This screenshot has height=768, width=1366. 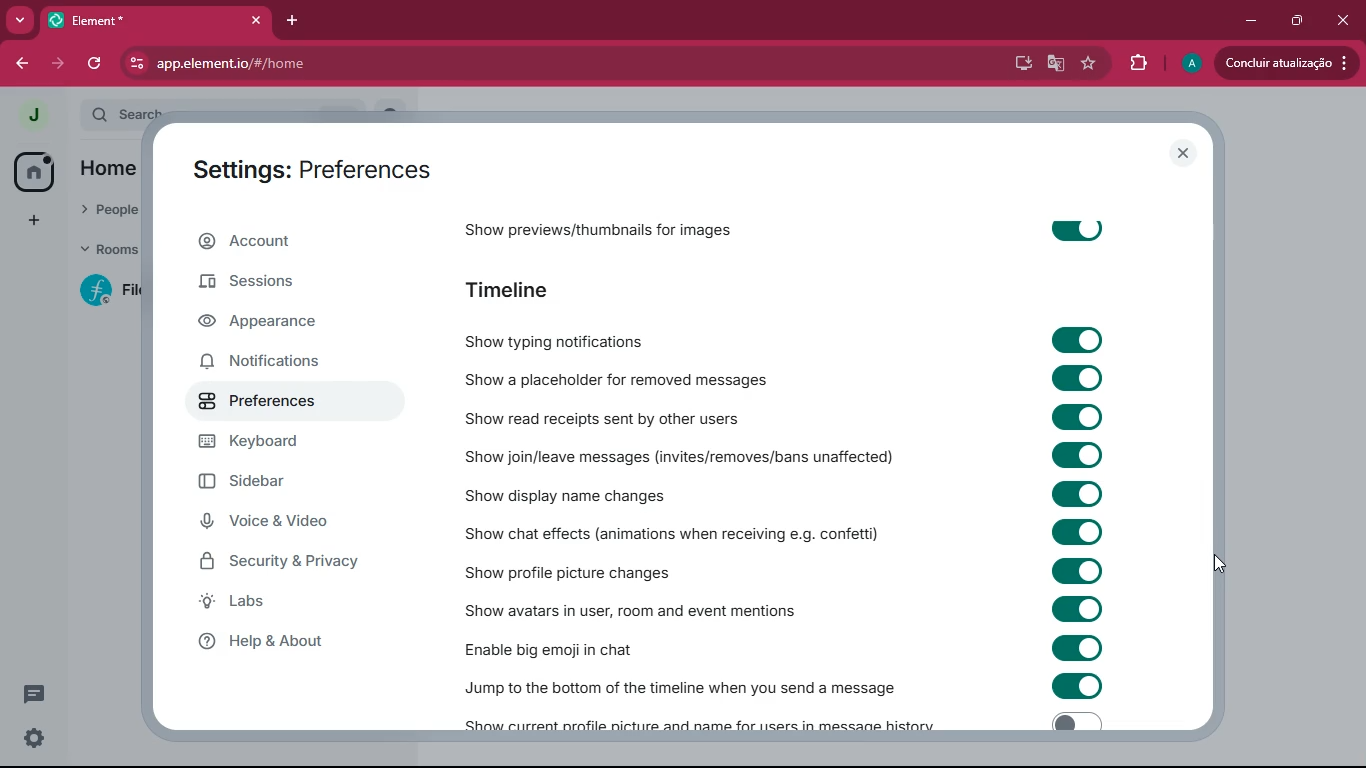 I want to click on settings: preferences, so click(x=304, y=166).